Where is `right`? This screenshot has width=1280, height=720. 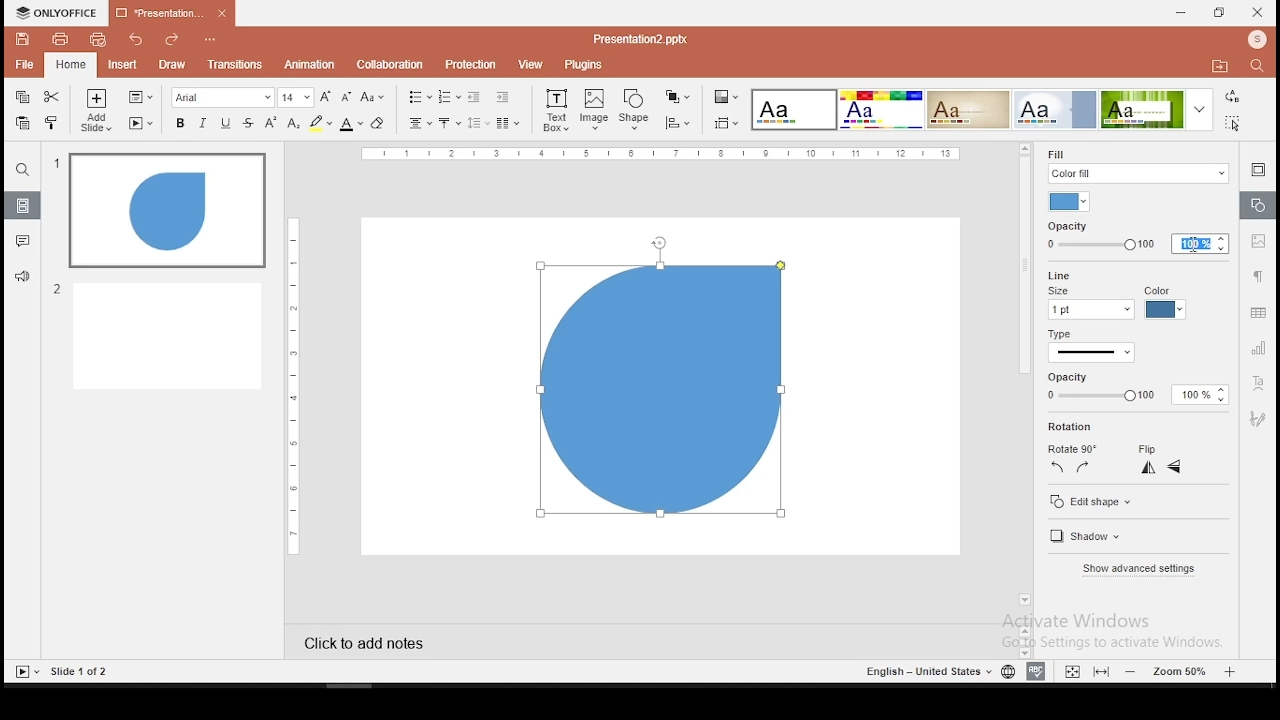 right is located at coordinates (1082, 467).